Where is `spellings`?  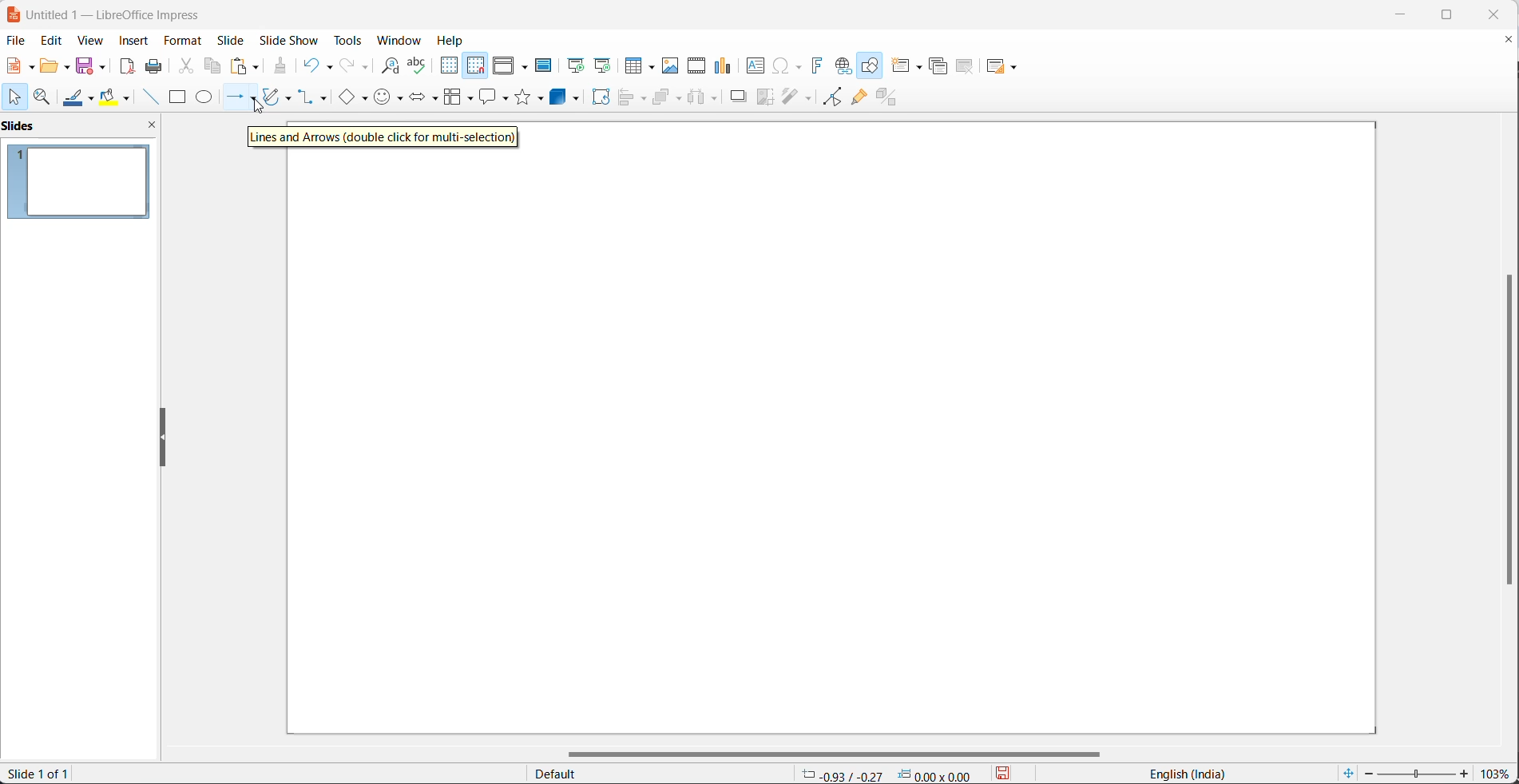 spellings is located at coordinates (418, 65).